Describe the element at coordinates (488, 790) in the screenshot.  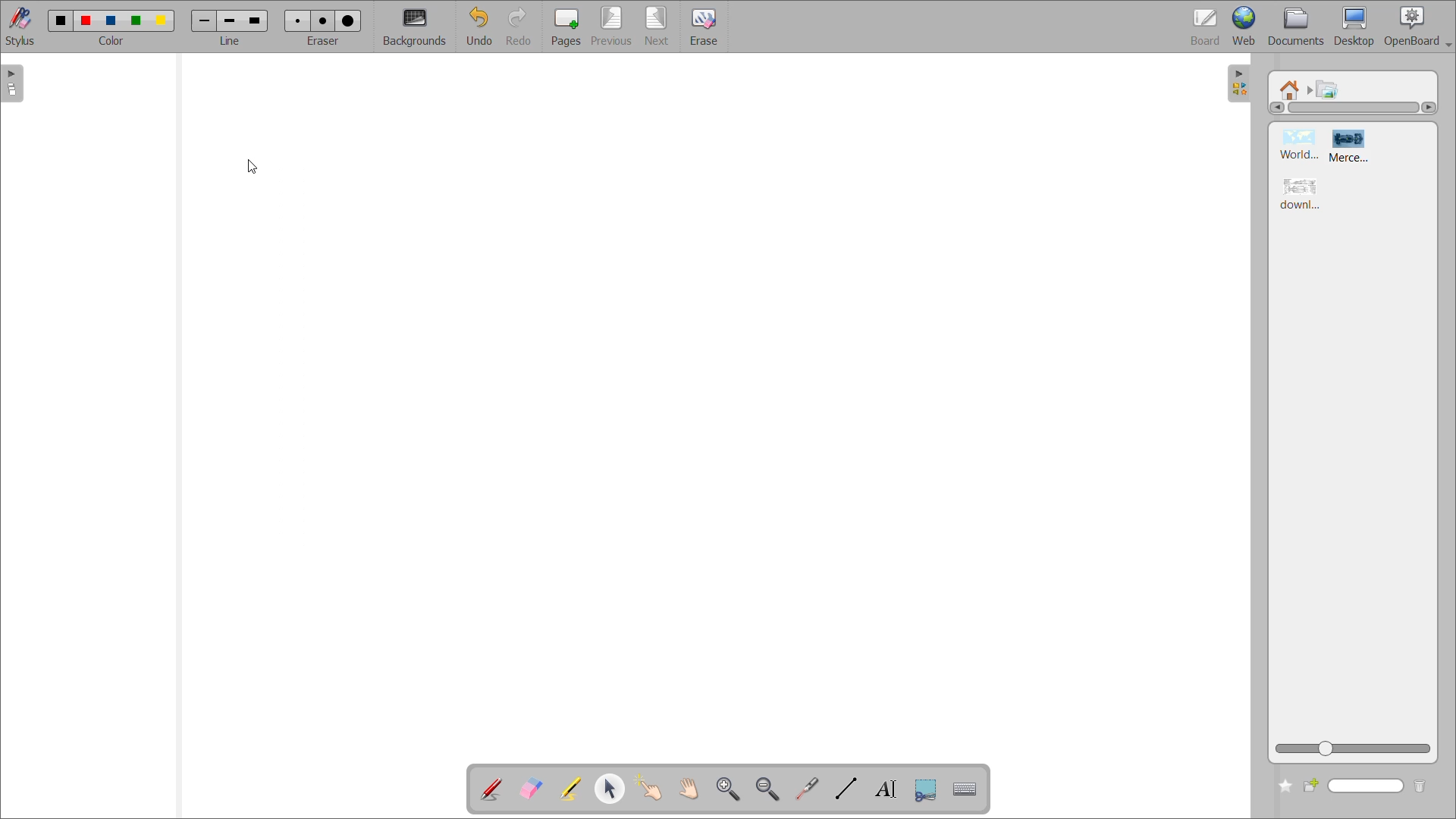
I see `annotate document` at that location.